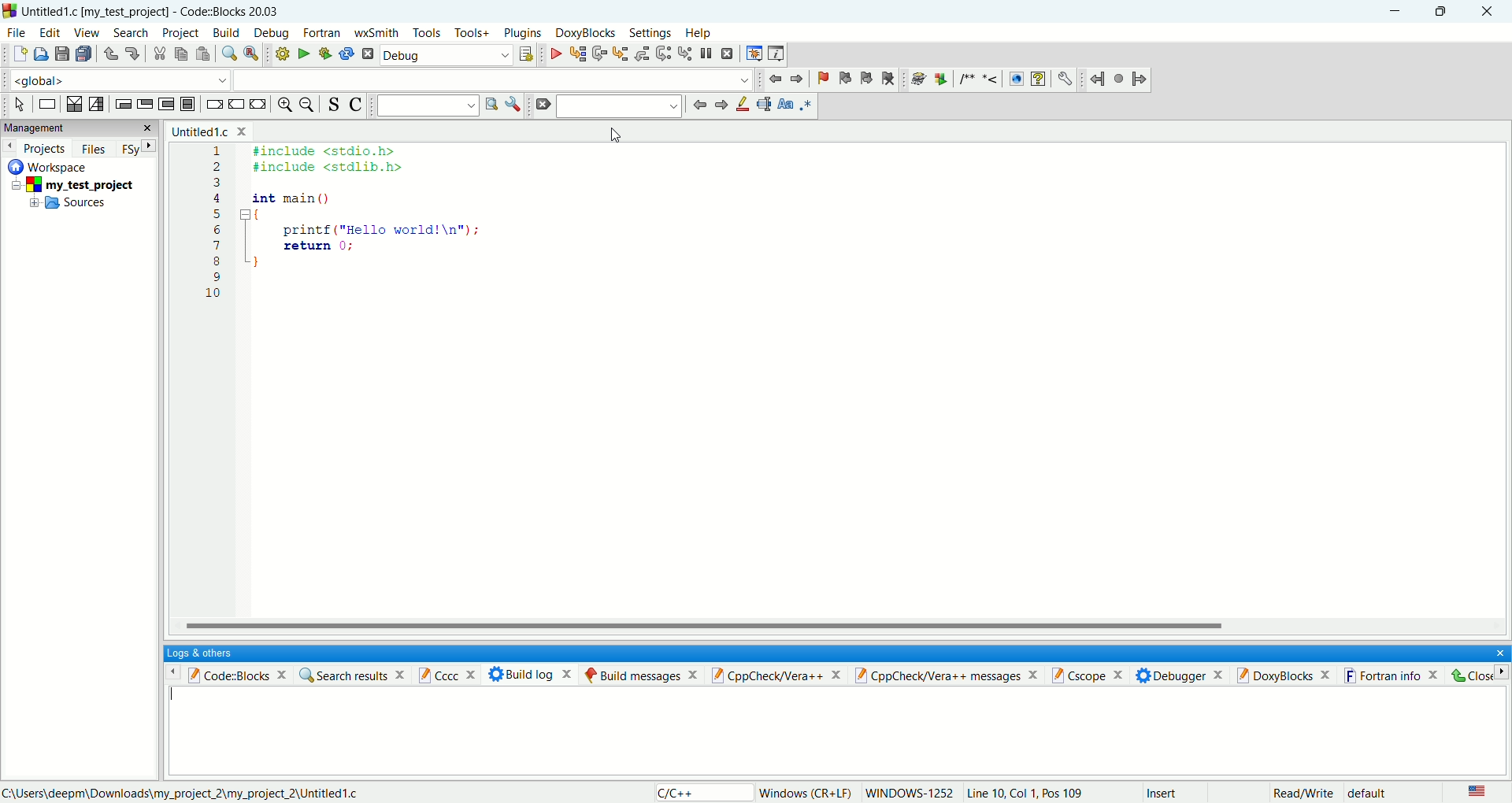 This screenshot has height=803, width=1512. I want to click on I beam cursor, so click(176, 697).